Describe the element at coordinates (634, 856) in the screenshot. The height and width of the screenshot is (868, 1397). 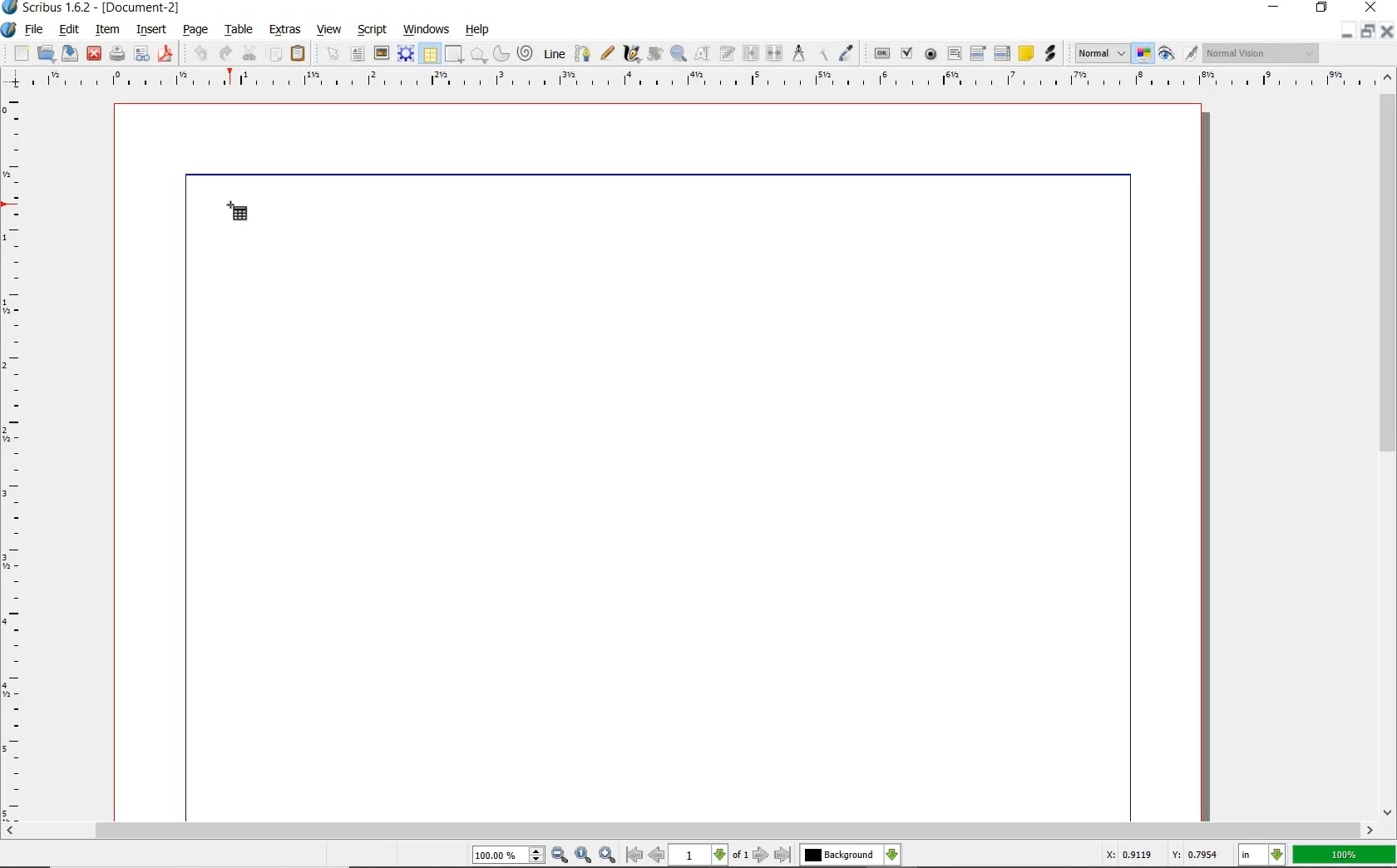
I see `go to first page` at that location.